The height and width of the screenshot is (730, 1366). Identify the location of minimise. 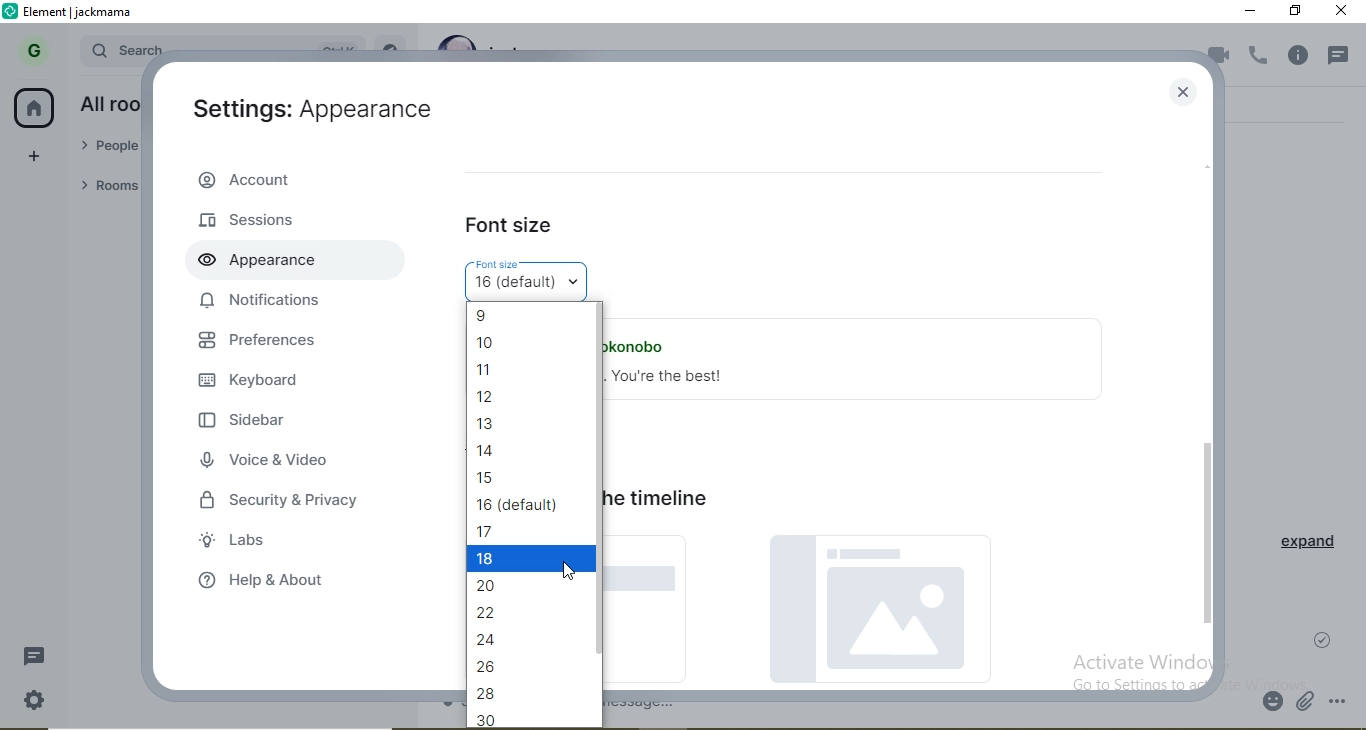
(1251, 12).